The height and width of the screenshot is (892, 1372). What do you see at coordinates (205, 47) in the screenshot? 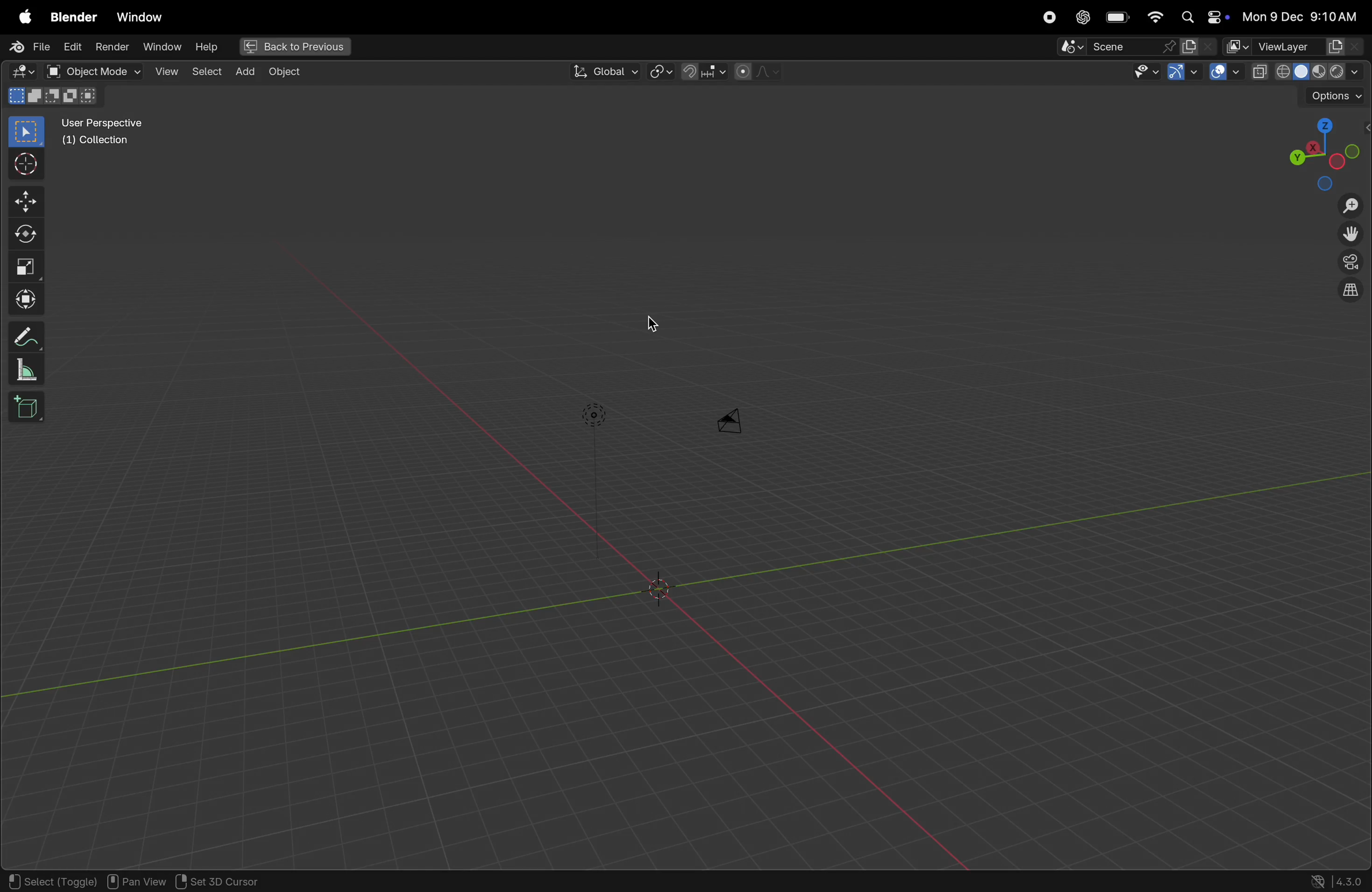
I see `Hlep` at bounding box center [205, 47].